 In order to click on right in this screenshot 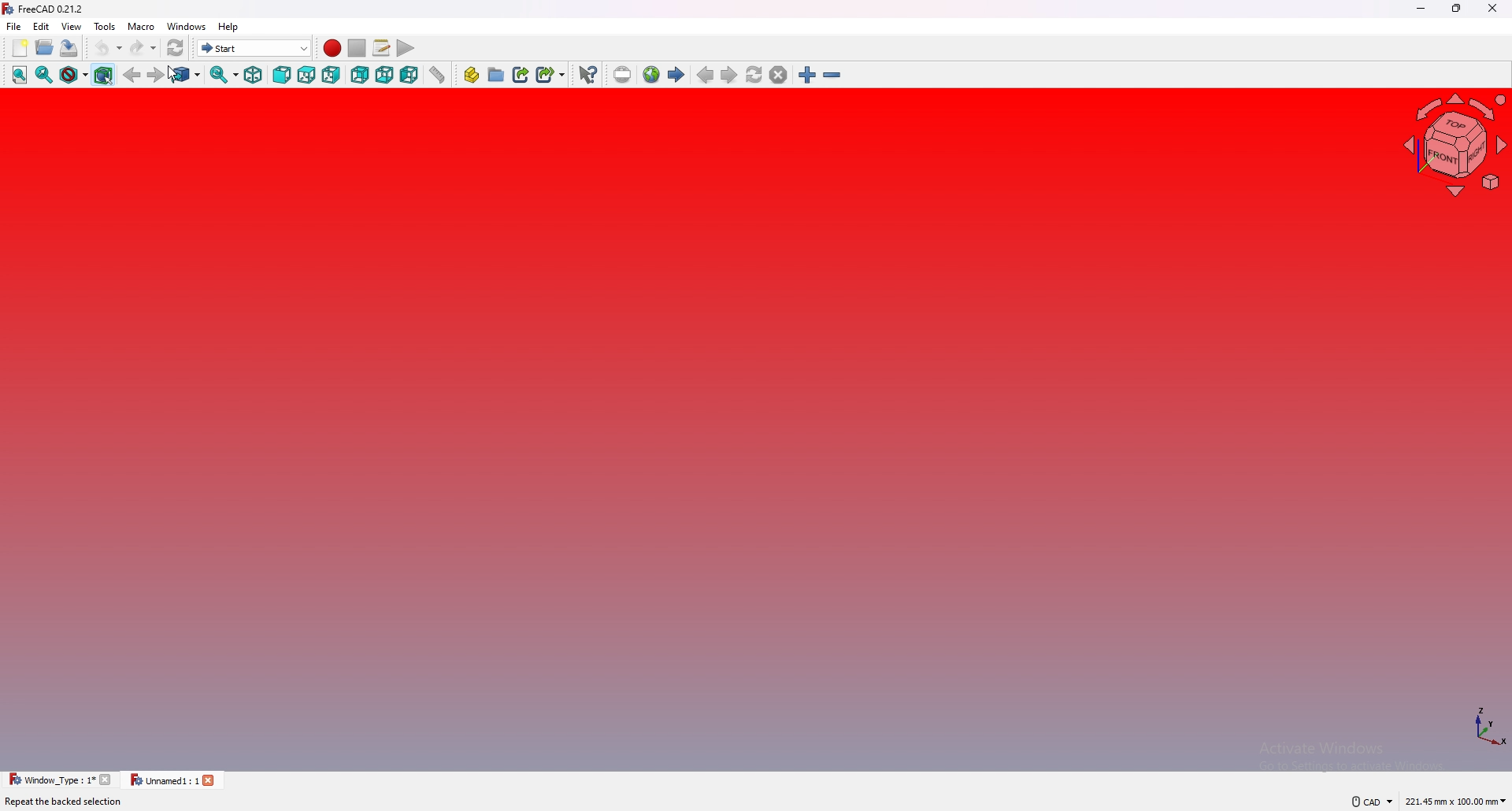, I will do `click(332, 76)`.